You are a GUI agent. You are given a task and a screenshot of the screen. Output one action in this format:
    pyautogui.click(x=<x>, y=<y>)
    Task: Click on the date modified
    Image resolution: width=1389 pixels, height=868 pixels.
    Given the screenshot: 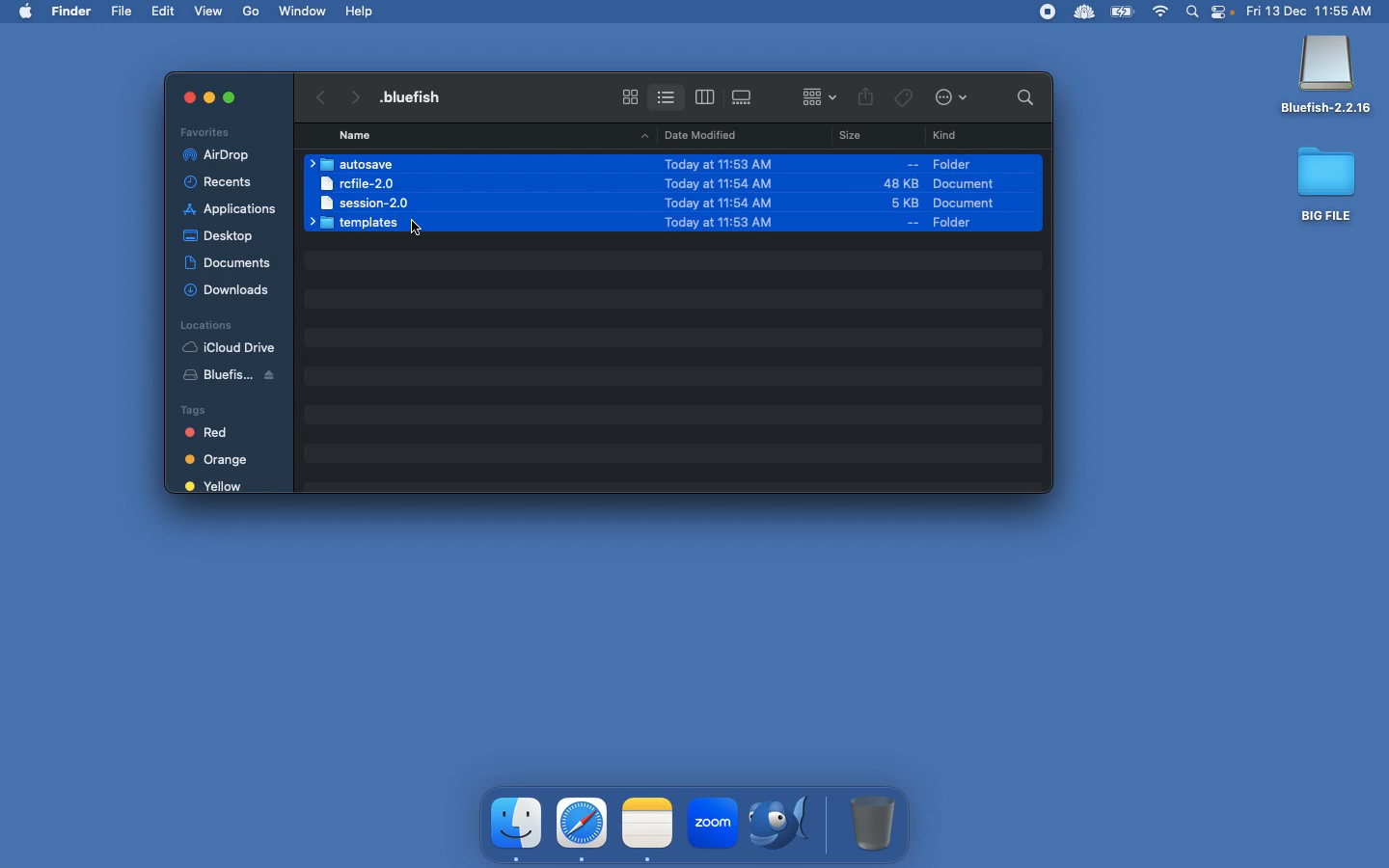 What is the action you would take?
    pyautogui.click(x=703, y=191)
    